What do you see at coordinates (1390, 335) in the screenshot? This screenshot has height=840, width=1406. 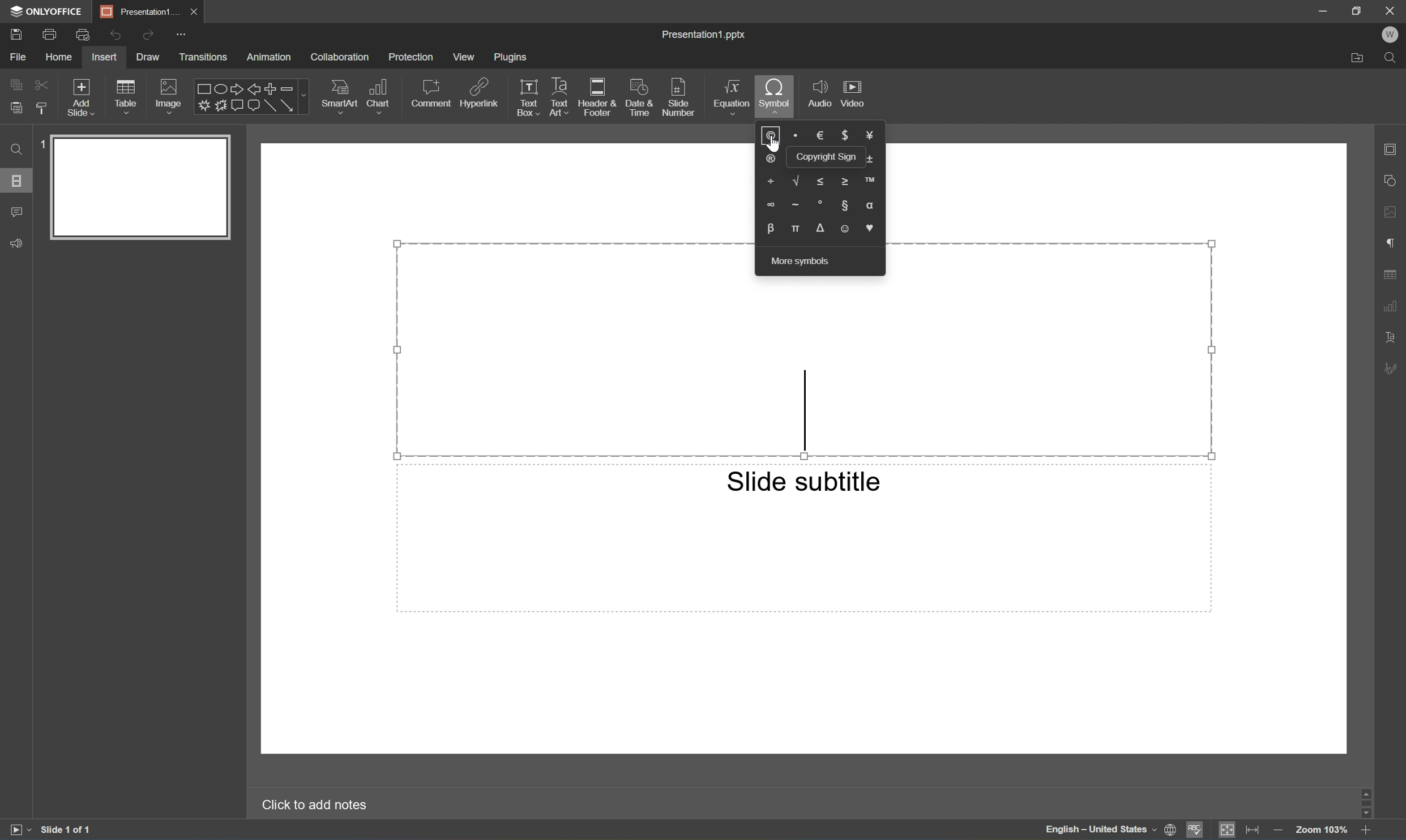 I see `Text Art settings` at bounding box center [1390, 335].